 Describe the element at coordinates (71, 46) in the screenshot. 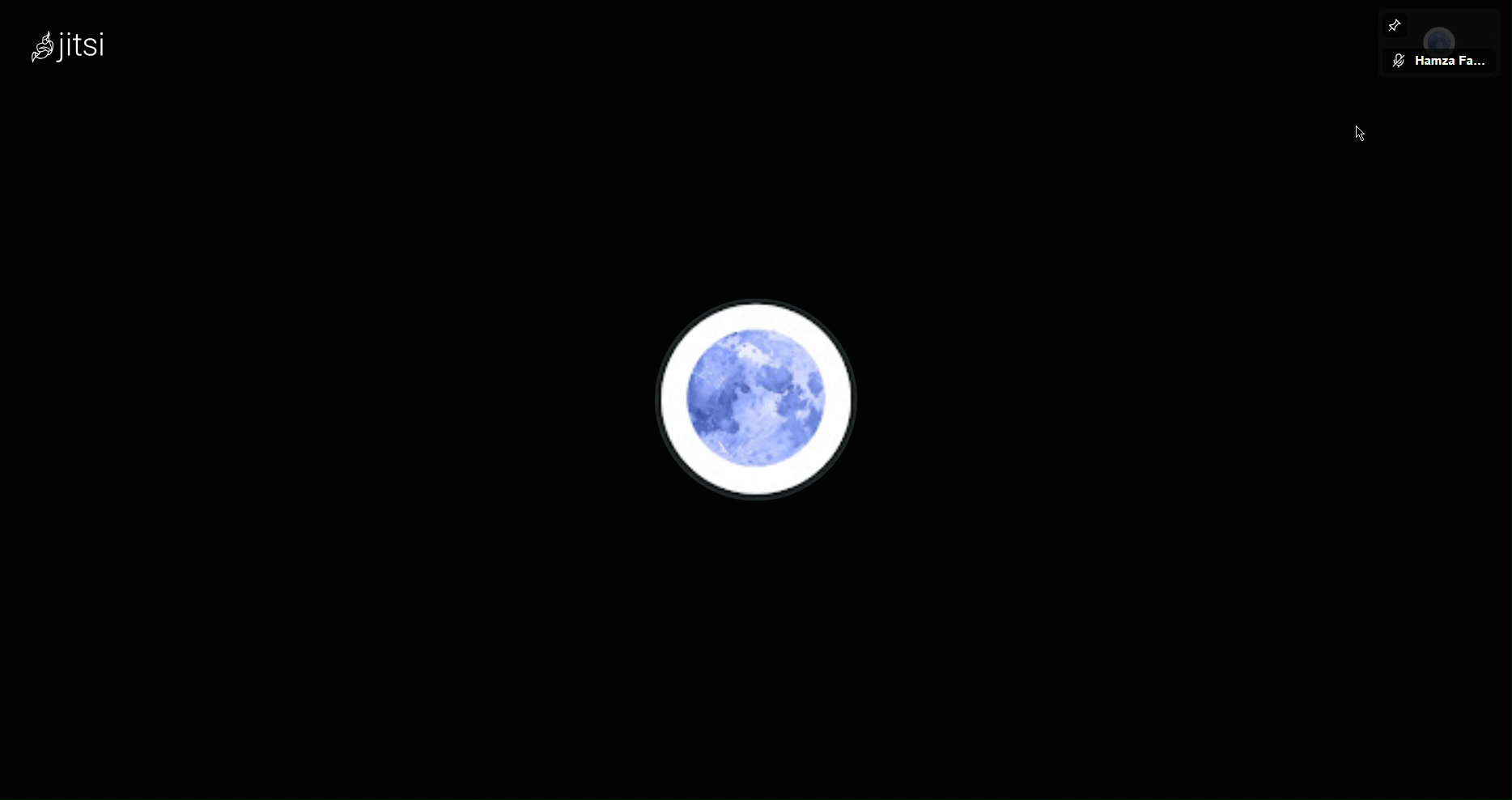

I see `Jitsi` at that location.